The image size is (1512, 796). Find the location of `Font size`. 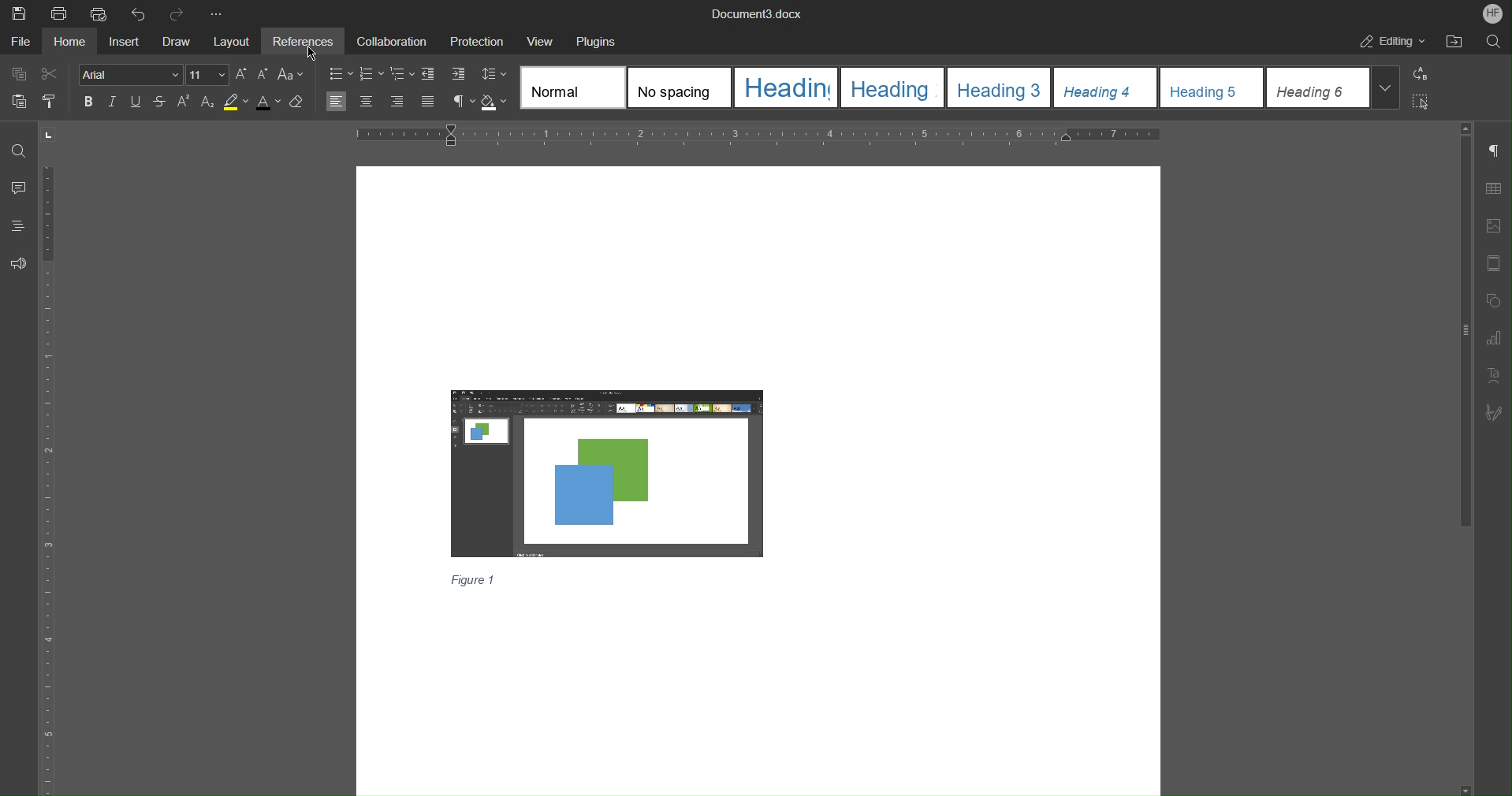

Font size is located at coordinates (210, 75).